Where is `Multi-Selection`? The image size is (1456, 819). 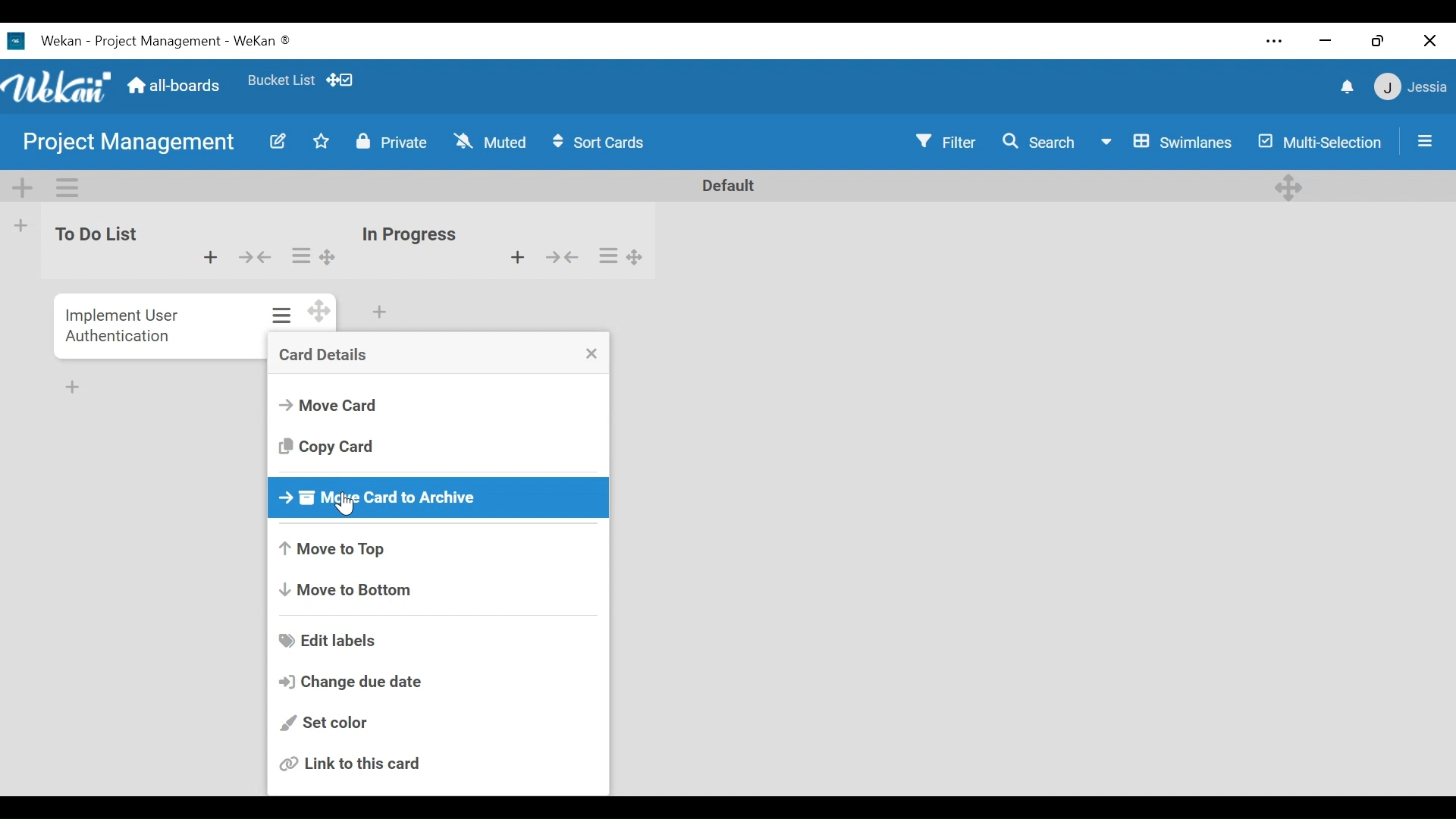
Multi-Selection is located at coordinates (1319, 141).